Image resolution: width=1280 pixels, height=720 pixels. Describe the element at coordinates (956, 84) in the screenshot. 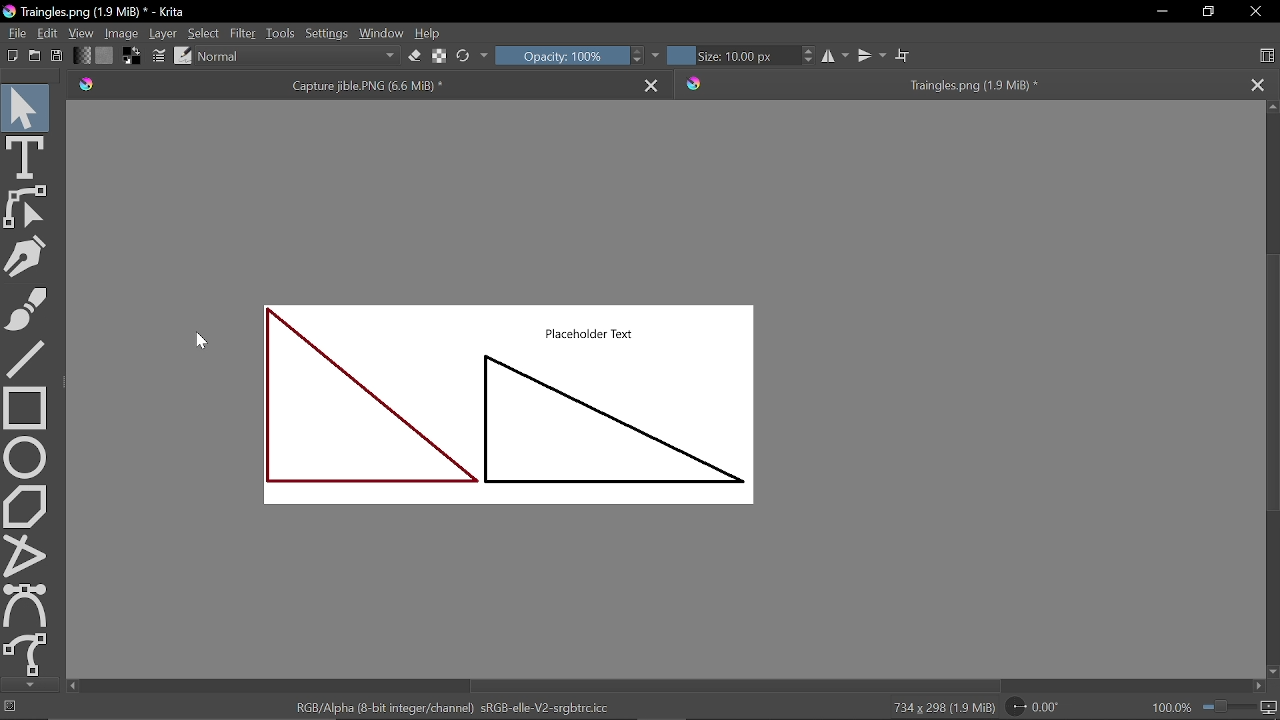

I see `Traingles.png (1.9 MiB) *` at that location.